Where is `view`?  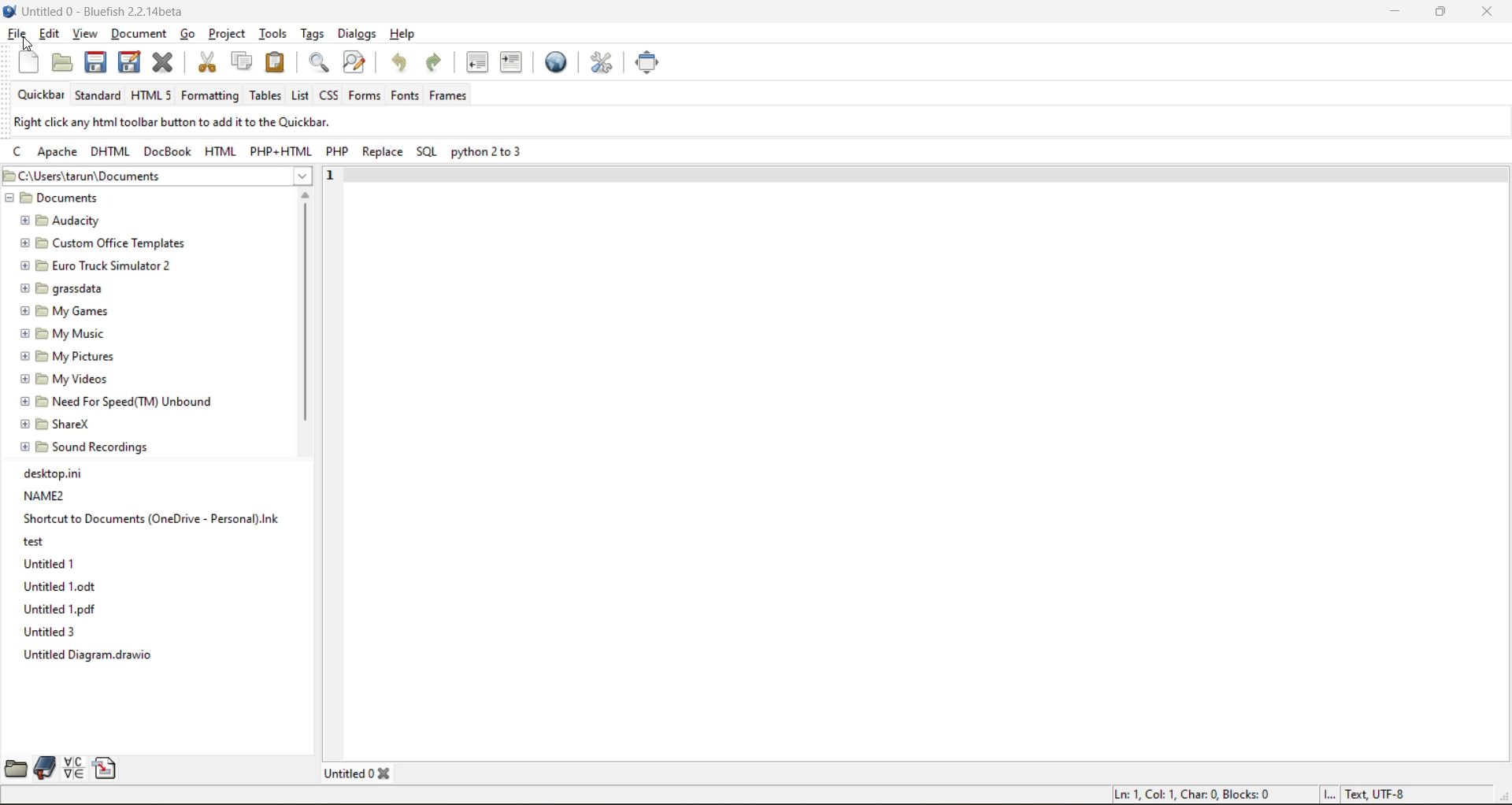
view is located at coordinates (83, 32).